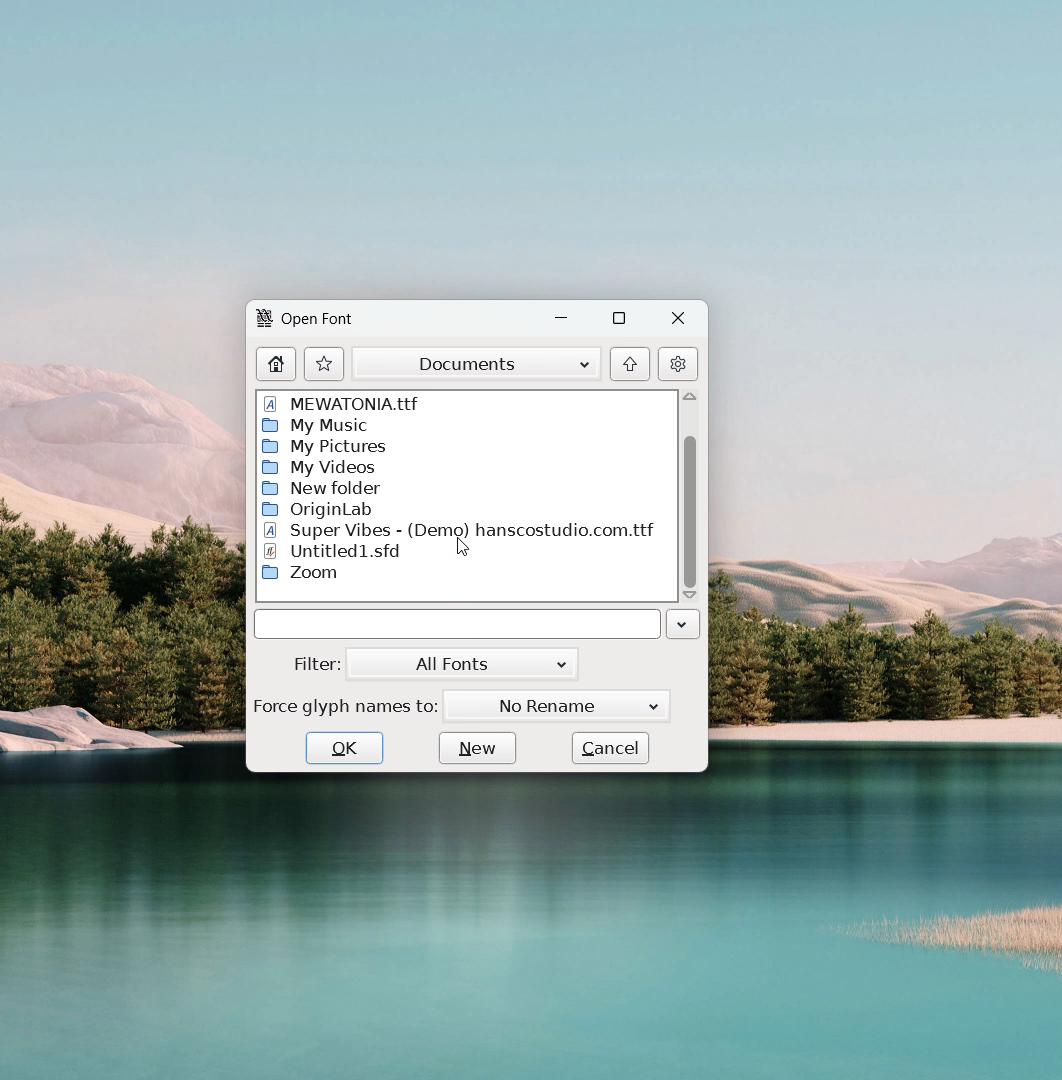  I want to click on scroll up, so click(689, 396).